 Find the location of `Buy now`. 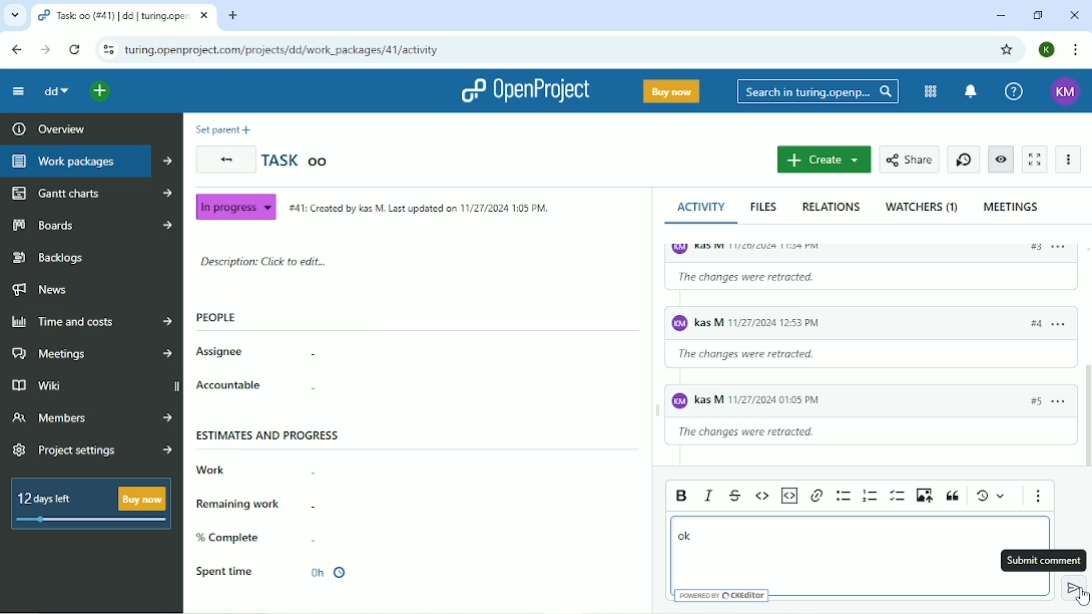

Buy now is located at coordinates (672, 92).